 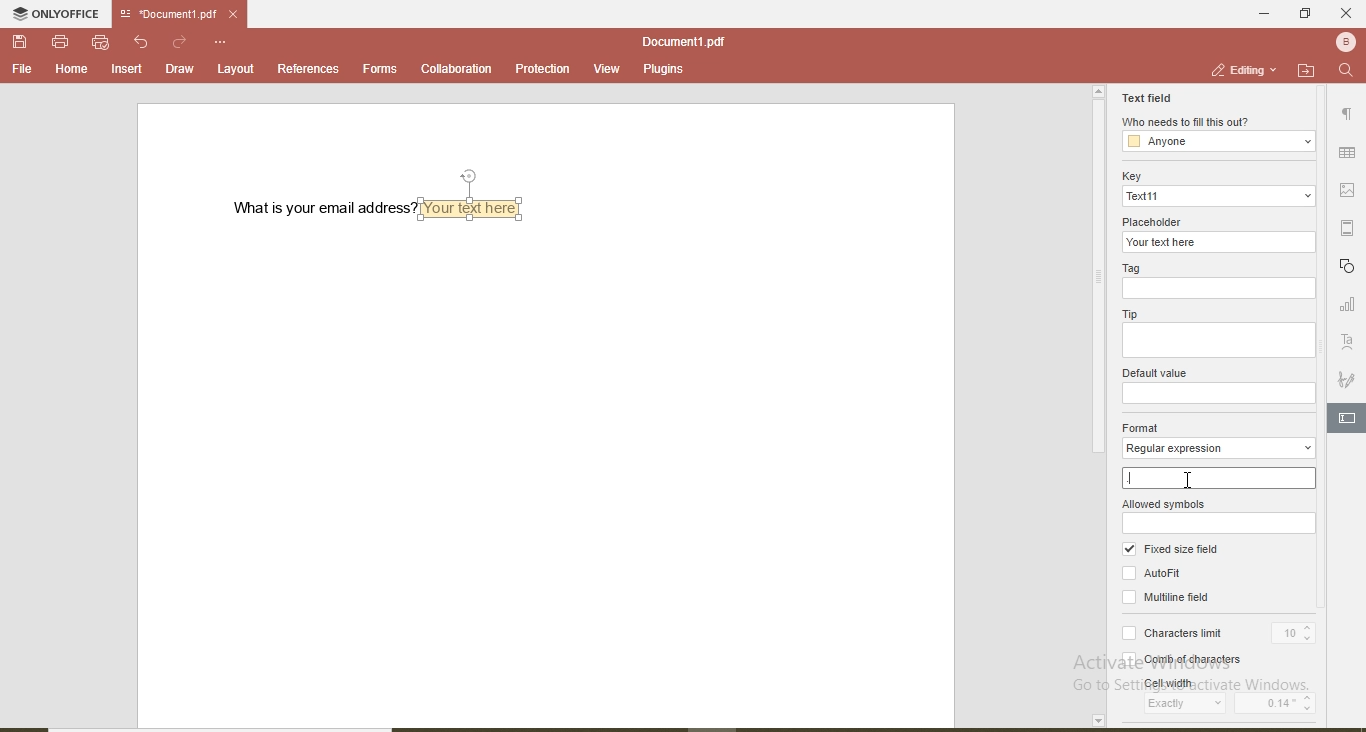 What do you see at coordinates (1217, 289) in the screenshot?
I see `tag input` at bounding box center [1217, 289].